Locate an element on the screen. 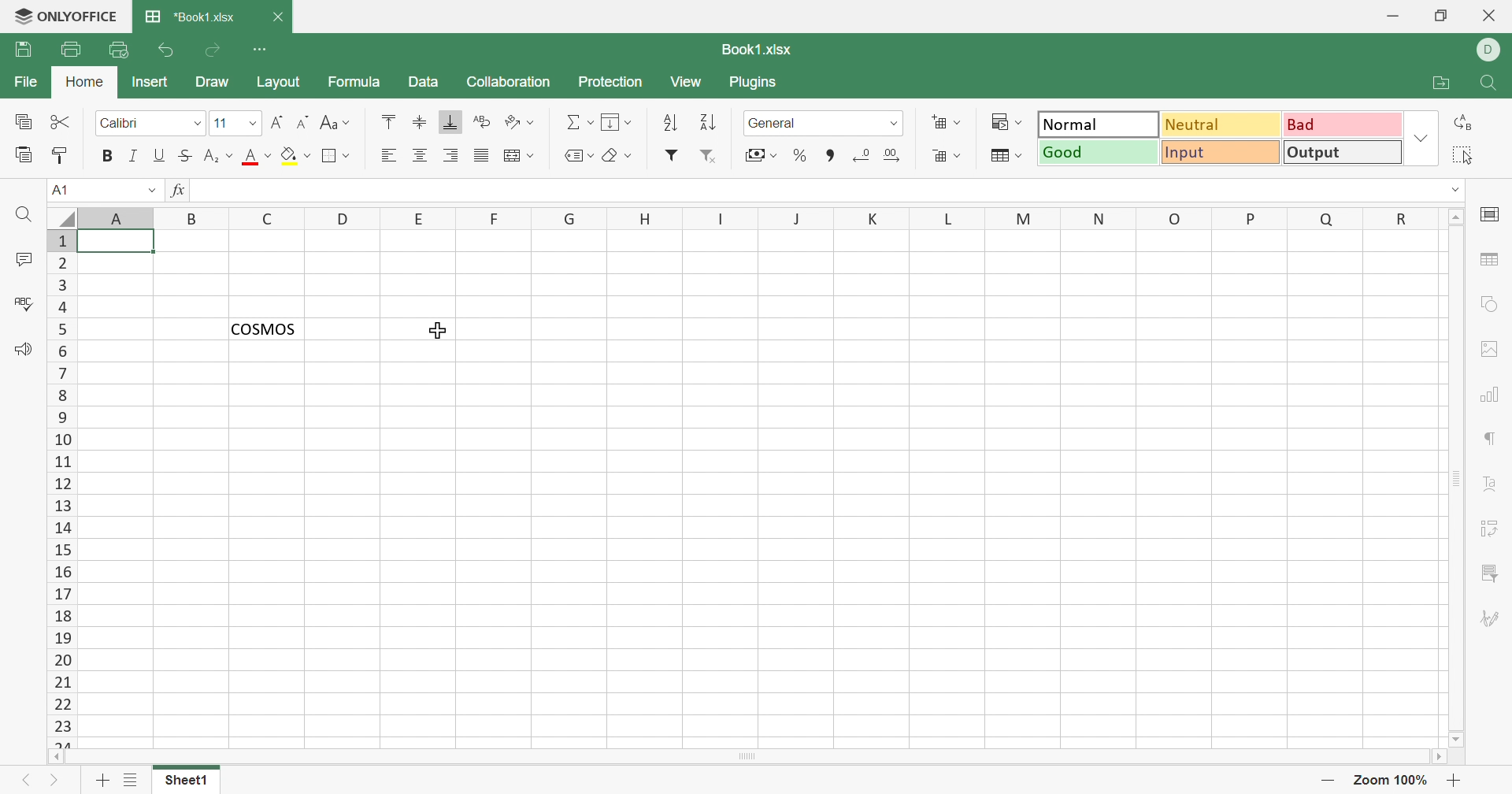 The width and height of the screenshot is (1512, 794). Align top is located at coordinates (392, 123).